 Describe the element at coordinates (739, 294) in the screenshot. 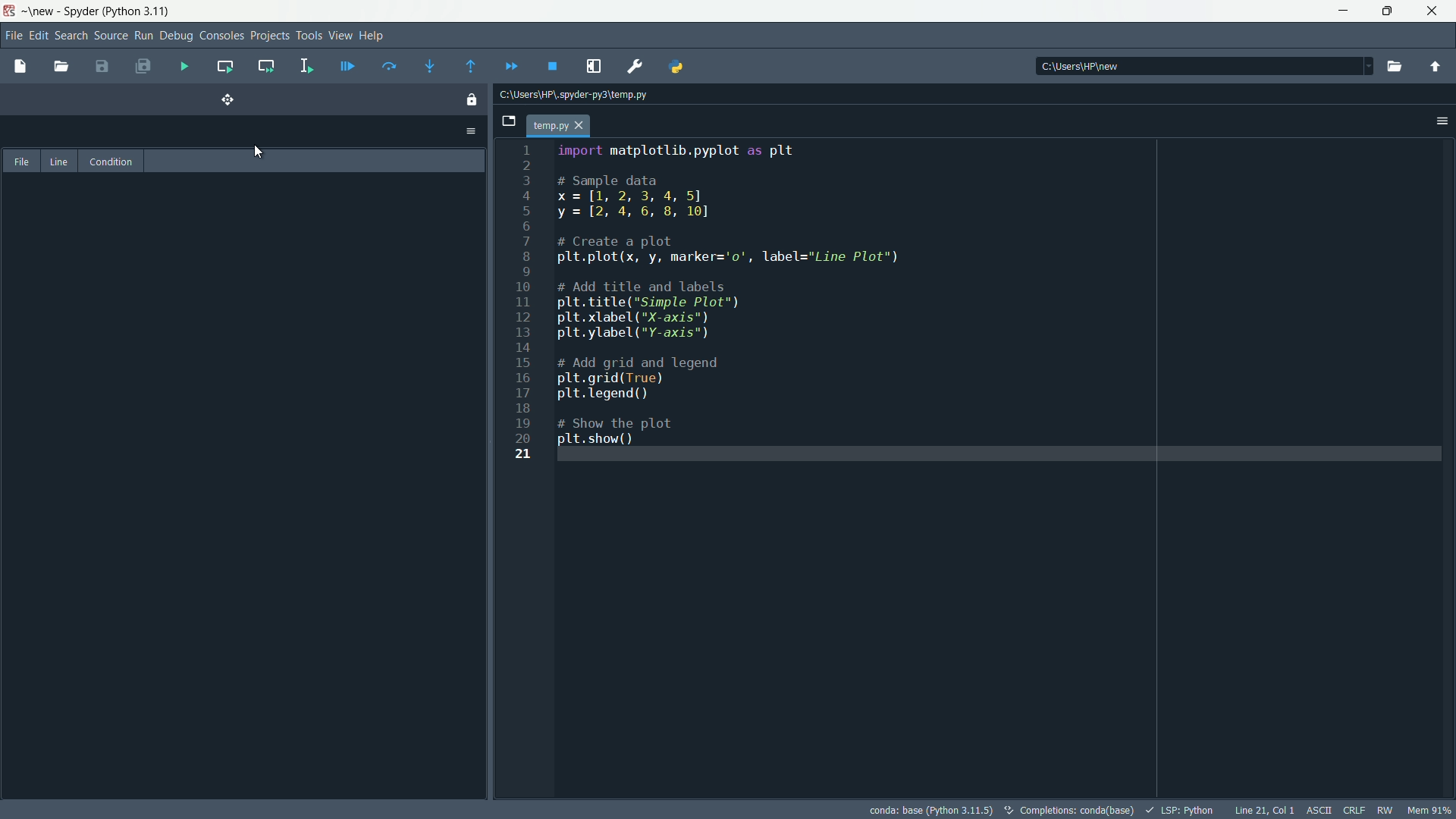

I see `import matplotlib.pyplot as plt
# Sample data

x=1[1, 2, 3, 4, 5]

y = [2, 4, 6, 8, 10]

# Create a plot

plt.plot(x, y, marker='o0', label="Line Plot")
# Add title and labels
plt.title("Simple Plot")
plt.xlabel ("X-axis")

plt.ylabel ("Y-axis")

# Add grid and legend
plt.grid(True)

plt.legend()

# Show the plot

plt.show()` at that location.